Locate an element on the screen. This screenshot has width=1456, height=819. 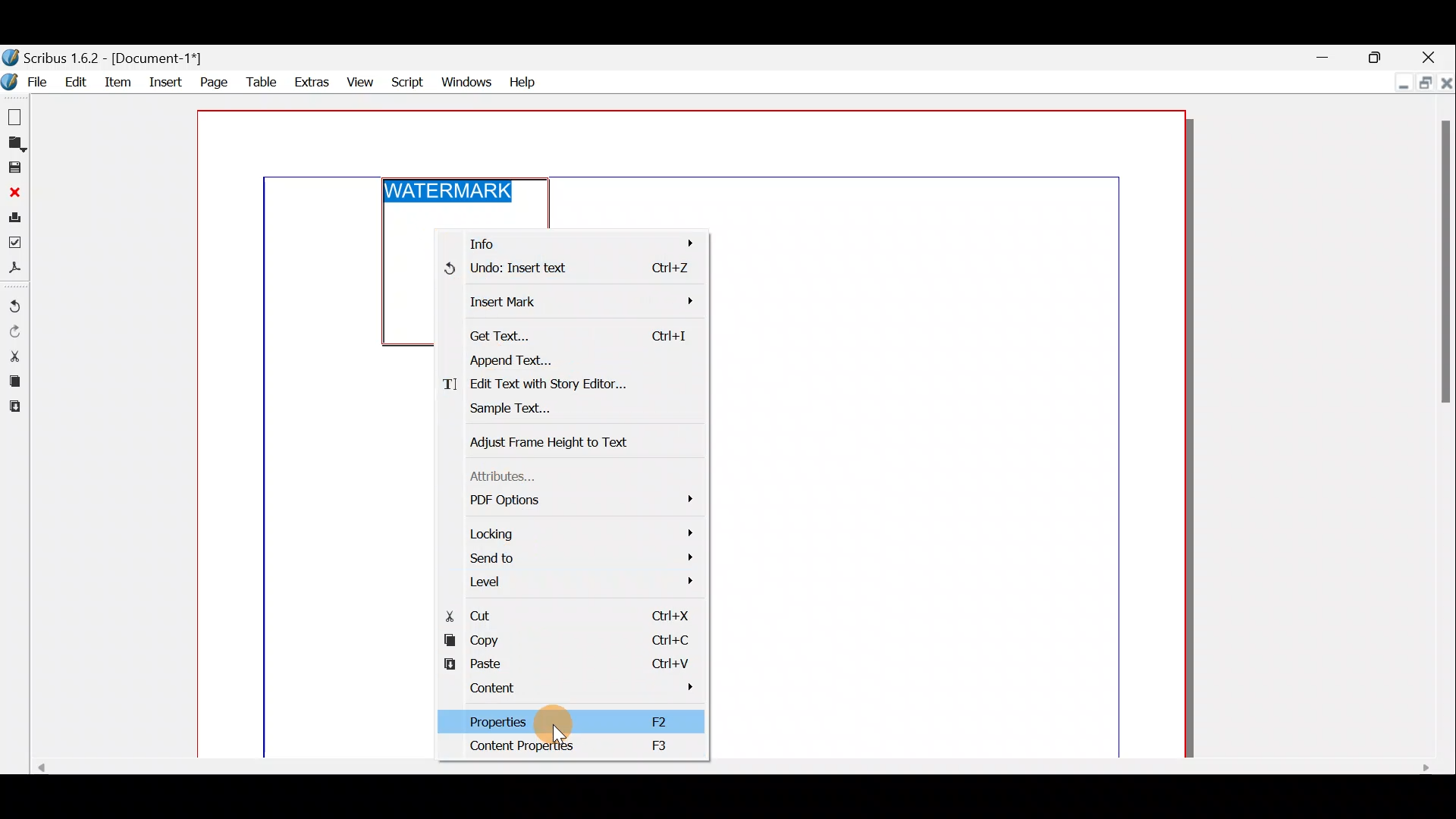
Scroll bar is located at coordinates (1445, 429).